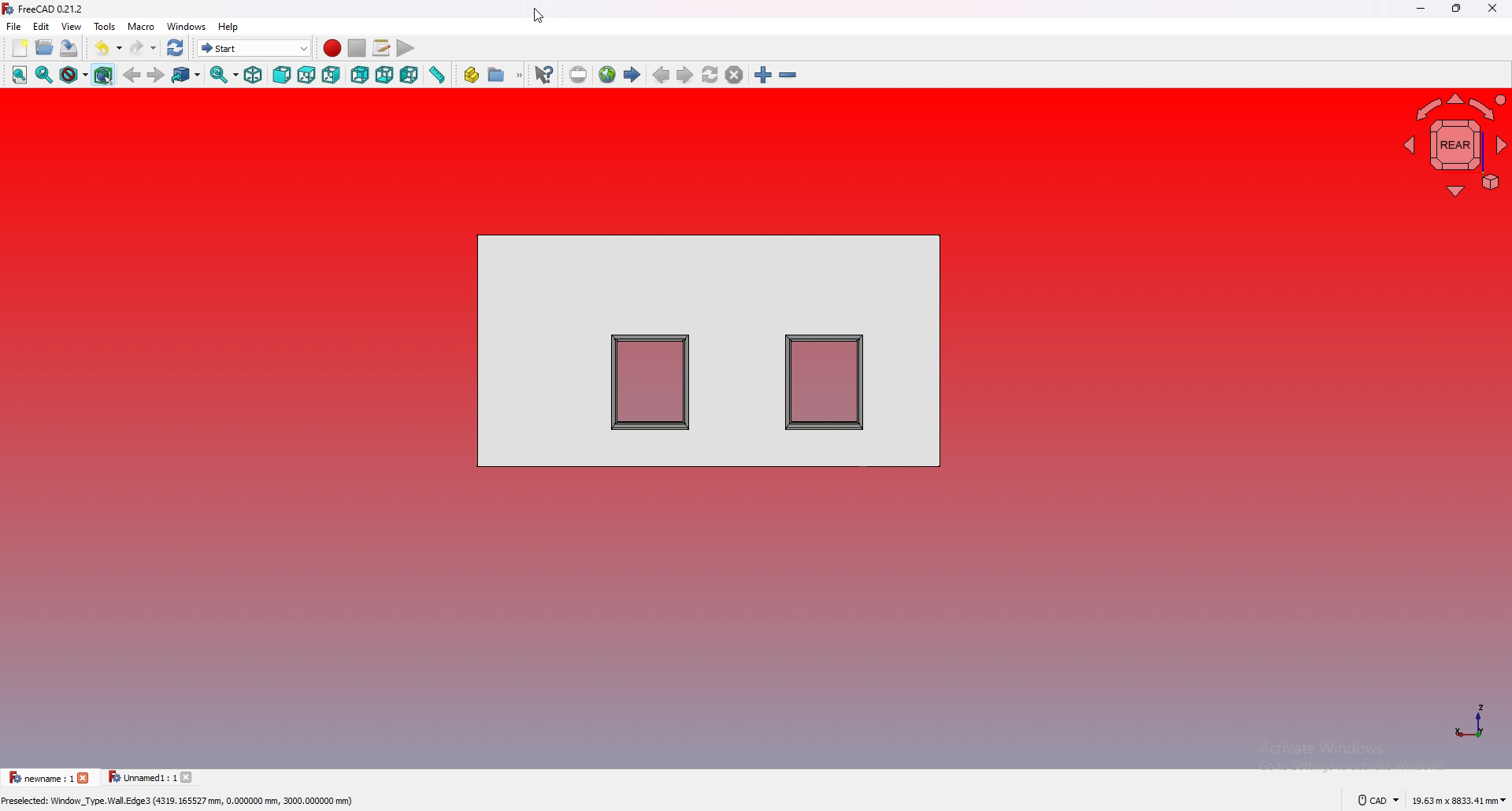 The image size is (1512, 811). What do you see at coordinates (1423, 8) in the screenshot?
I see `minimize` at bounding box center [1423, 8].